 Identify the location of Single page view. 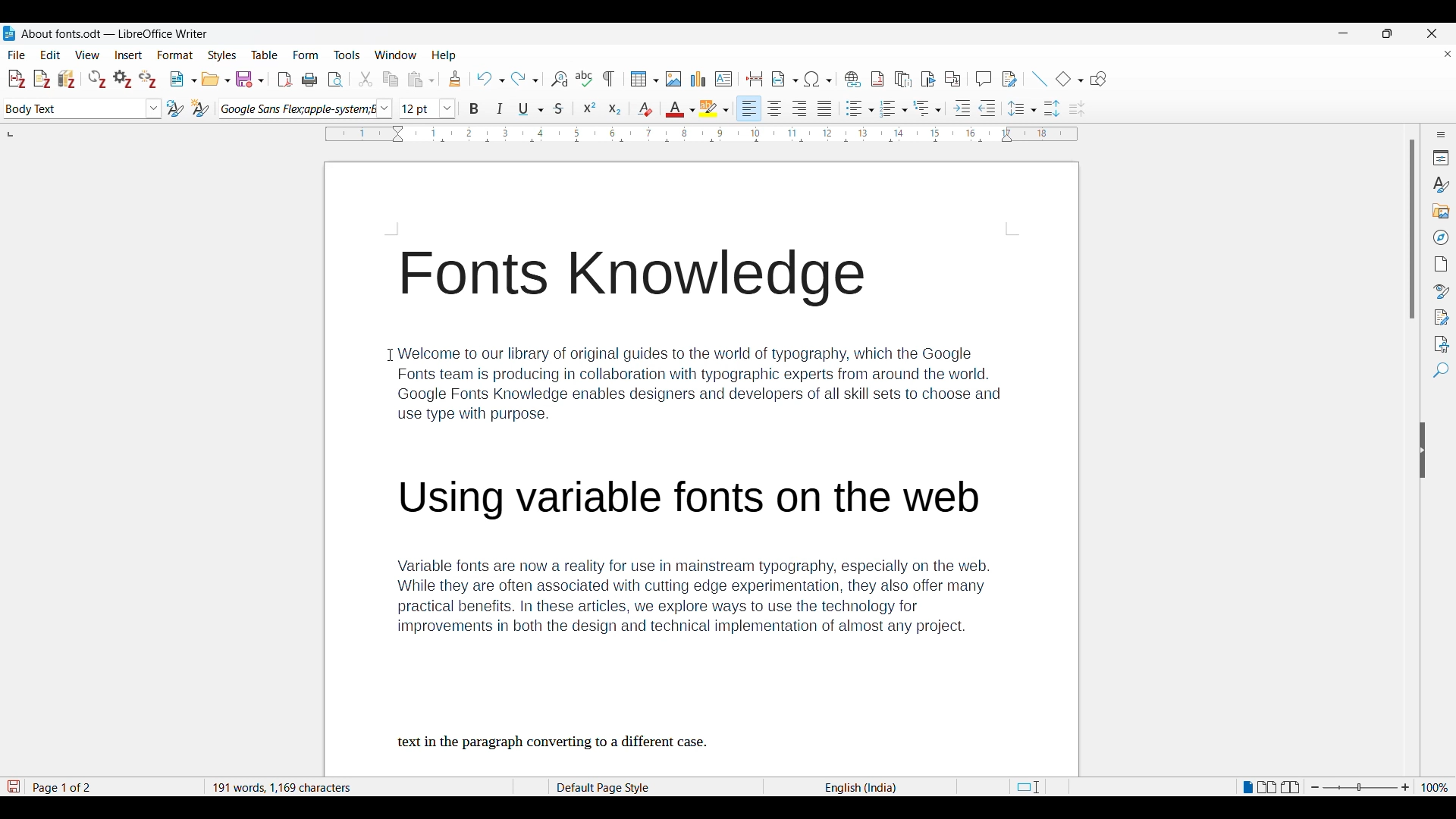
(1247, 787).